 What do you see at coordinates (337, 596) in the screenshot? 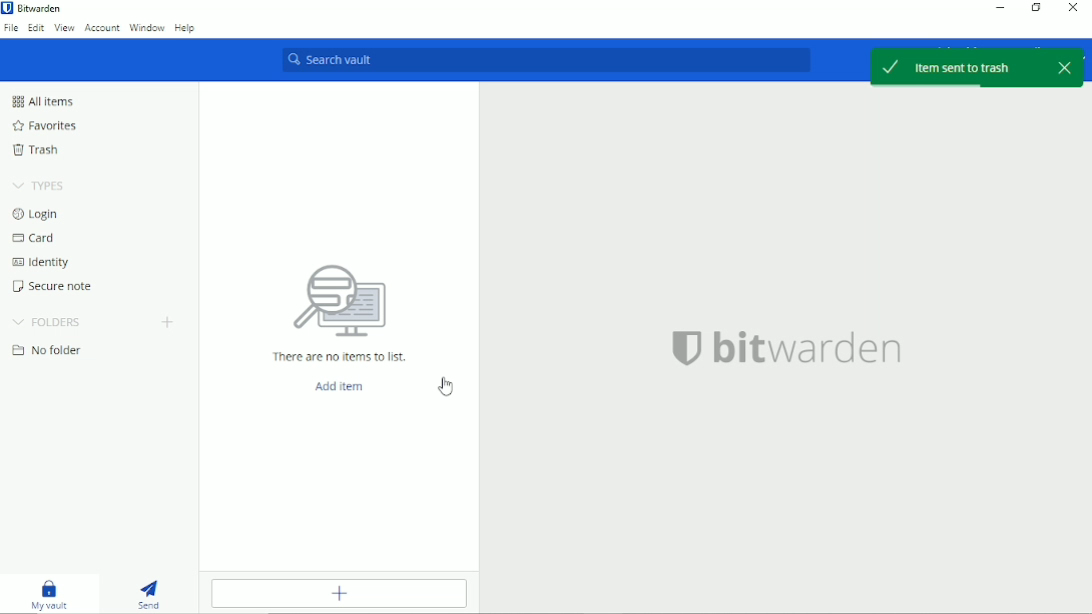
I see `Add item` at bounding box center [337, 596].